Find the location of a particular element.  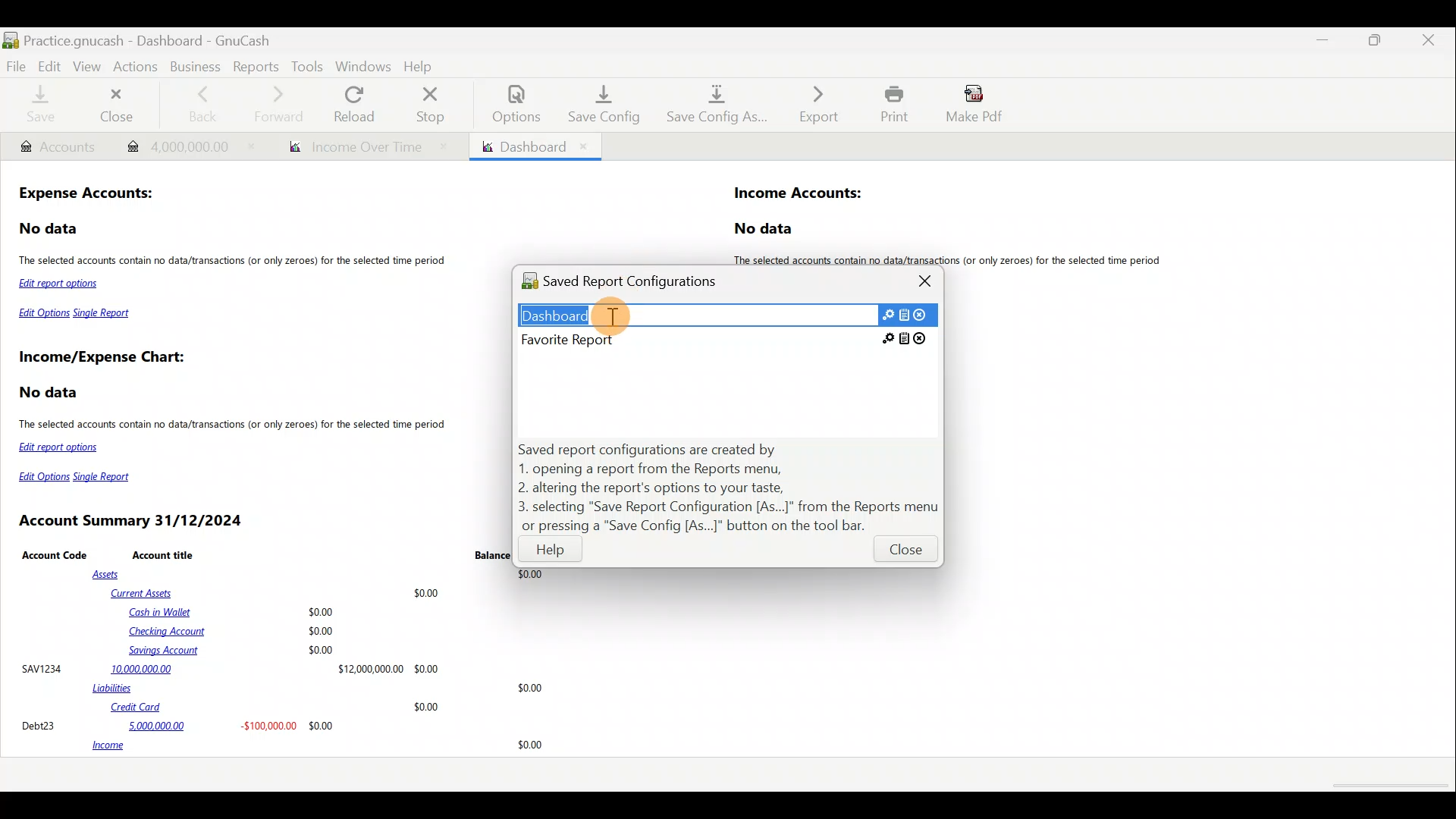

Report is located at coordinates (362, 147).